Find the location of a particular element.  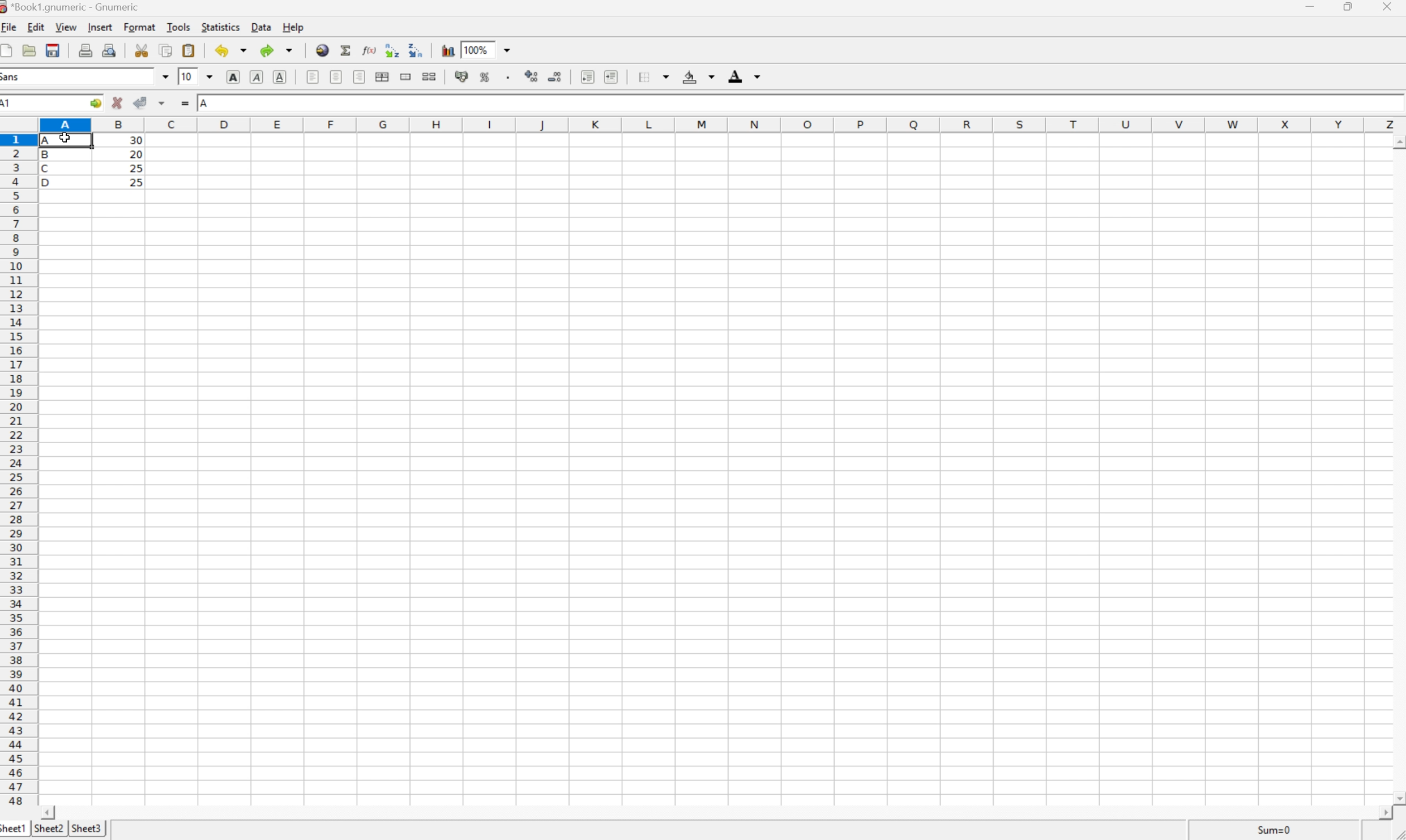

Format is located at coordinates (140, 28).